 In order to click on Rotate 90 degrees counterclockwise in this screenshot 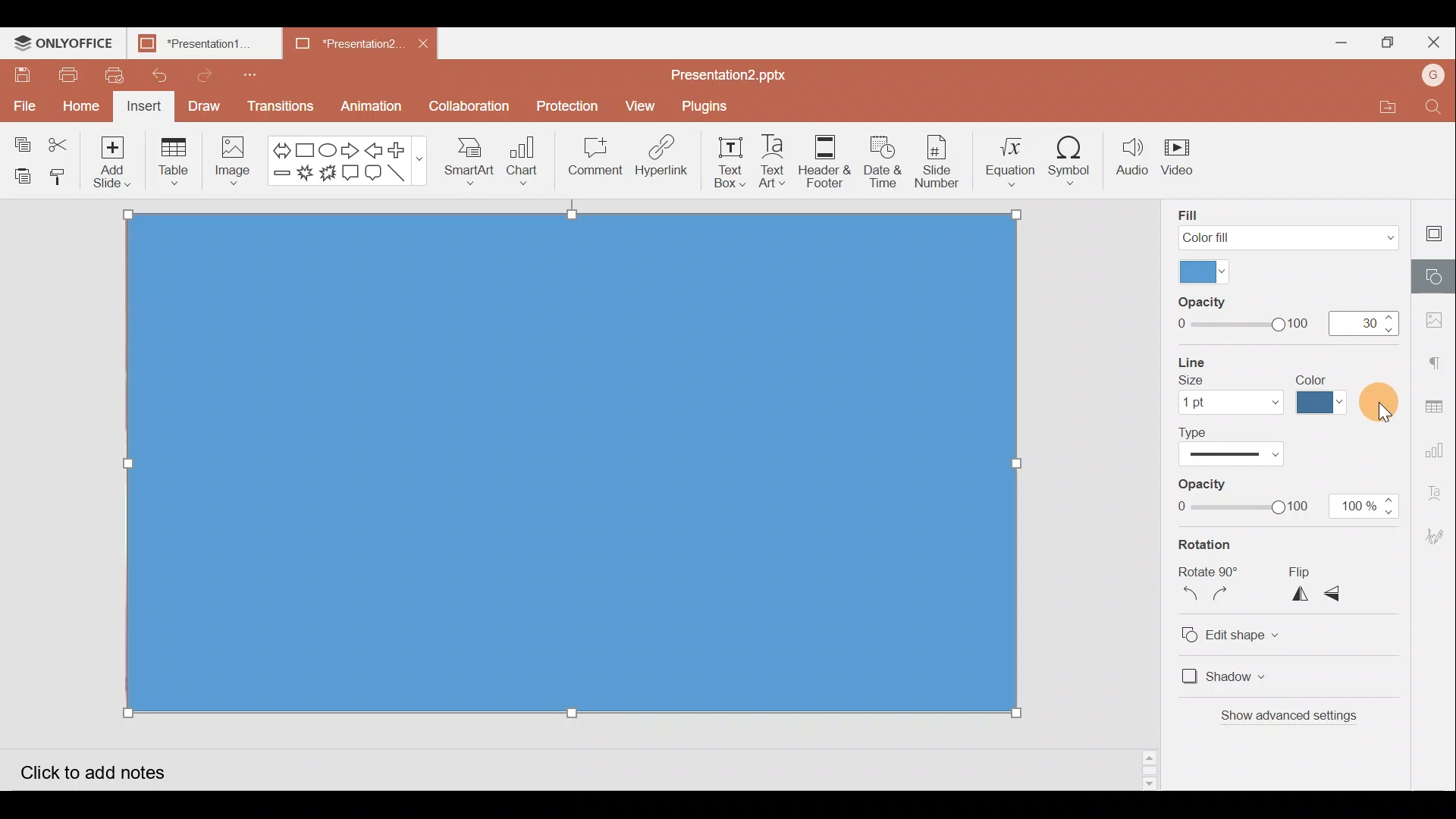, I will do `click(1189, 597)`.